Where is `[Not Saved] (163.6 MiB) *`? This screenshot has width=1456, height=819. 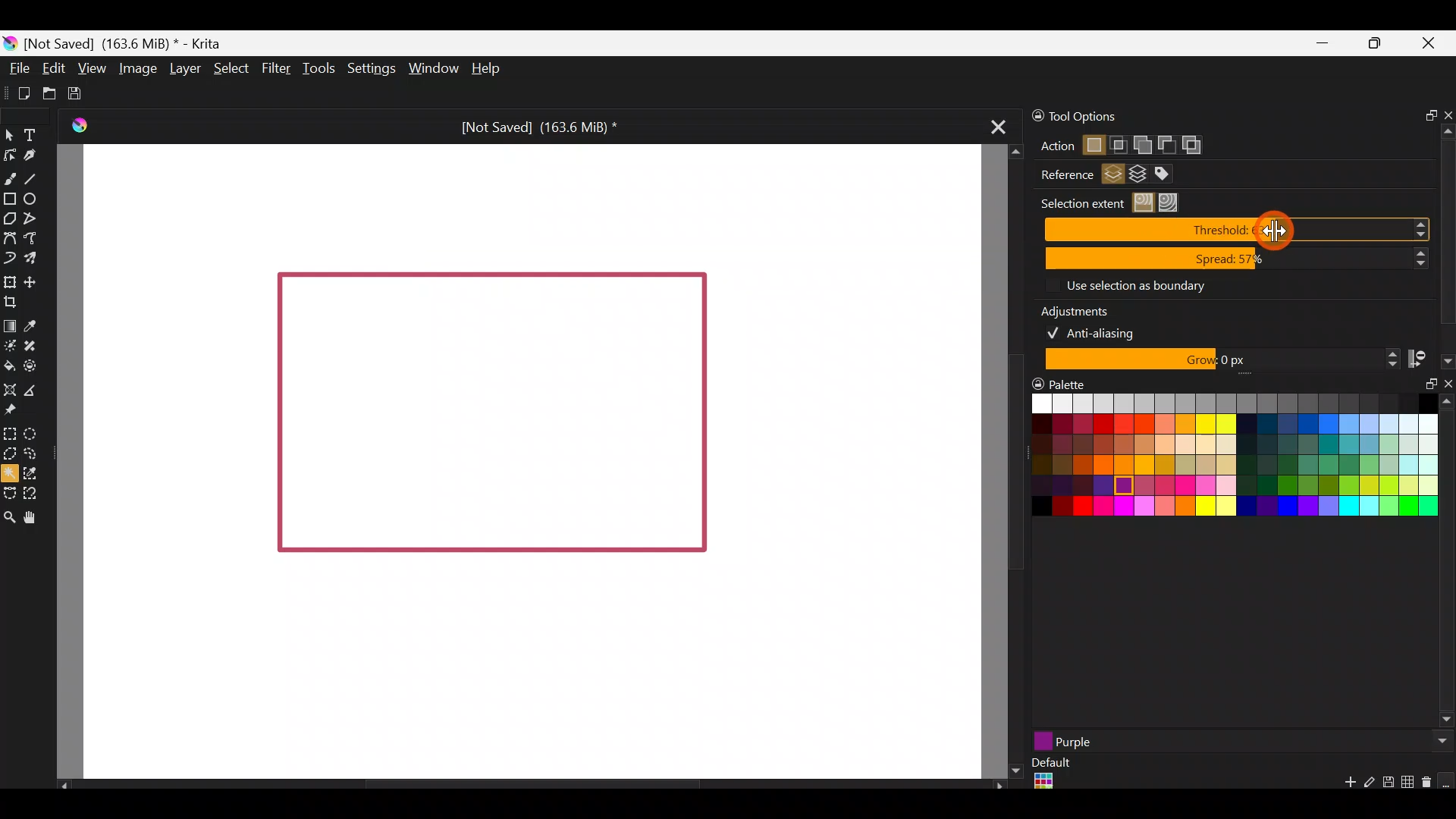 [Not Saved] (163.6 MiB) * is located at coordinates (537, 124).